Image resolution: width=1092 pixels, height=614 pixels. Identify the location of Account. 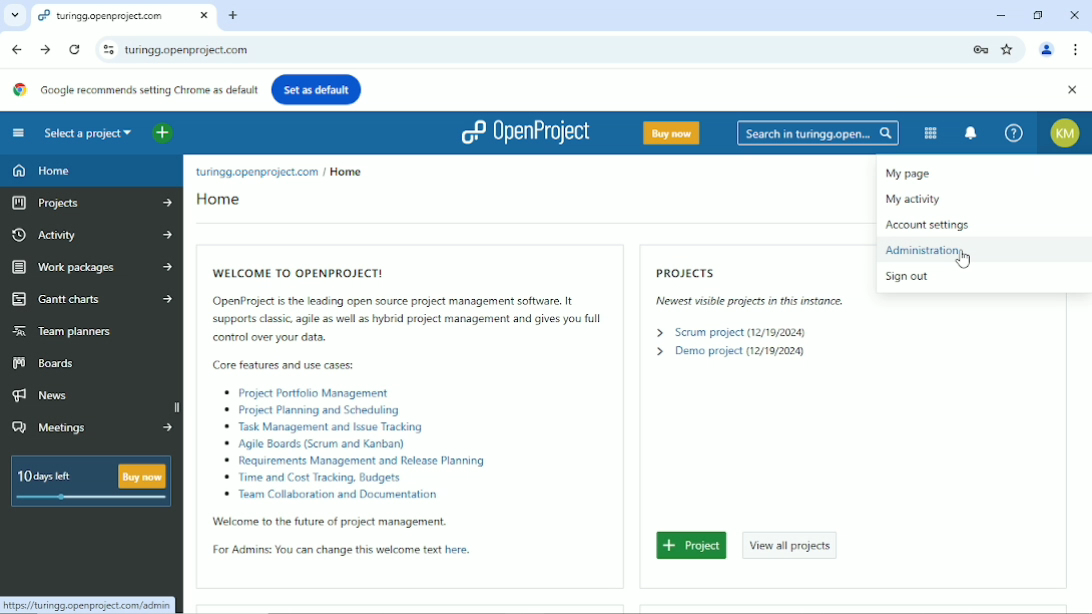
(1066, 133).